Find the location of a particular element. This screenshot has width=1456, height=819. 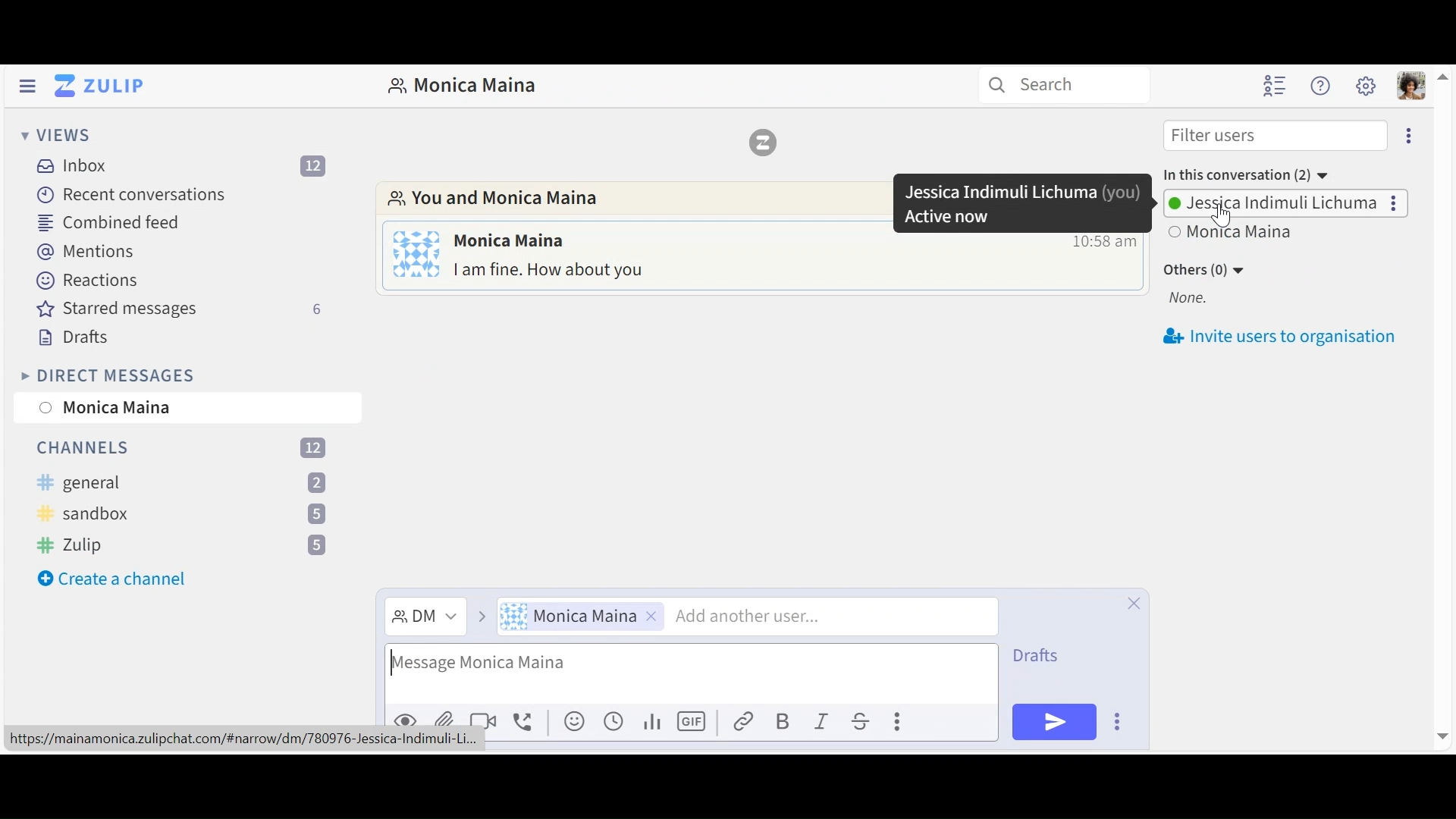

Hide user list is located at coordinates (1276, 85).